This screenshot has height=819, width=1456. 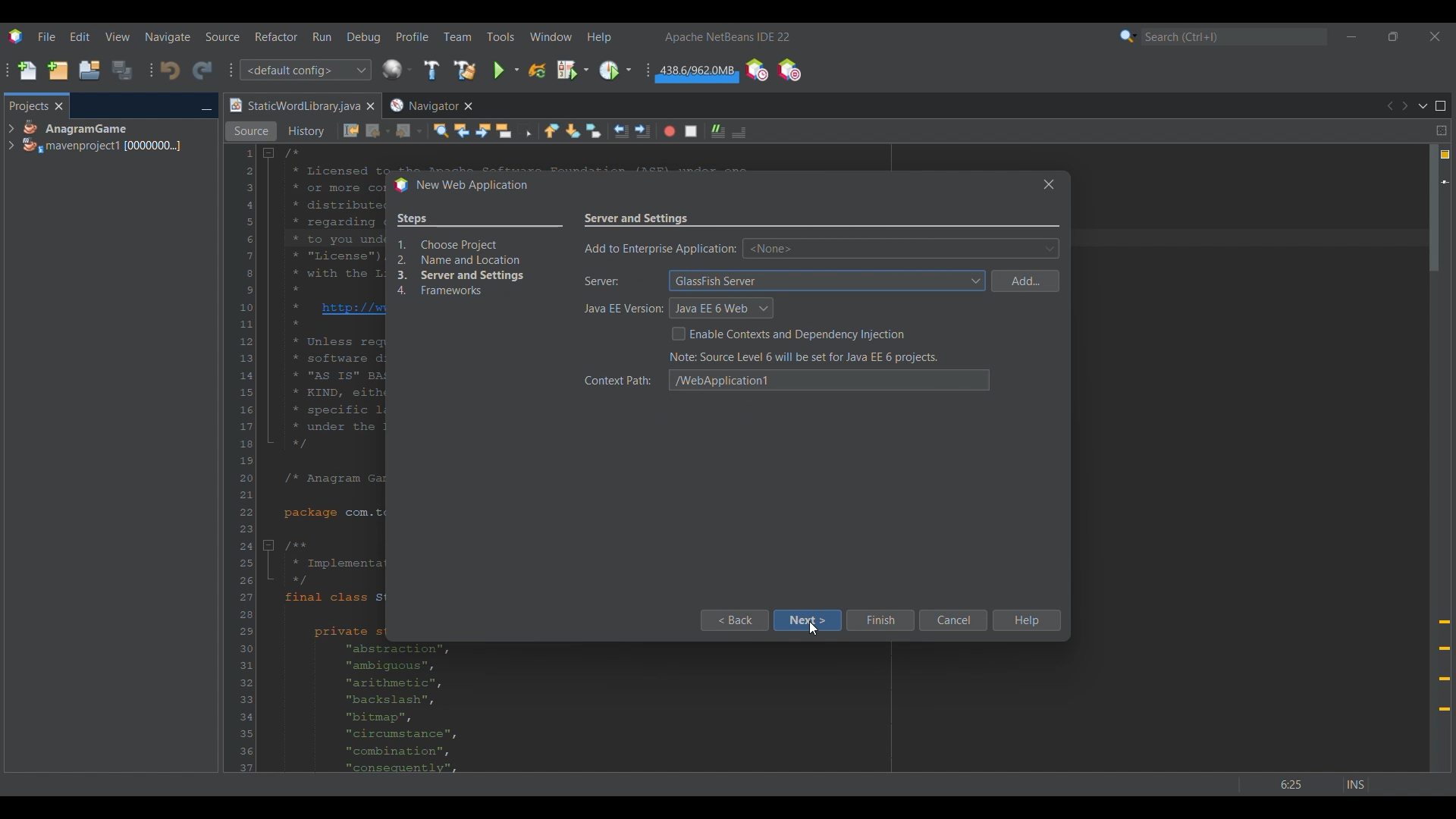 I want to click on Configuration options, so click(x=305, y=70).